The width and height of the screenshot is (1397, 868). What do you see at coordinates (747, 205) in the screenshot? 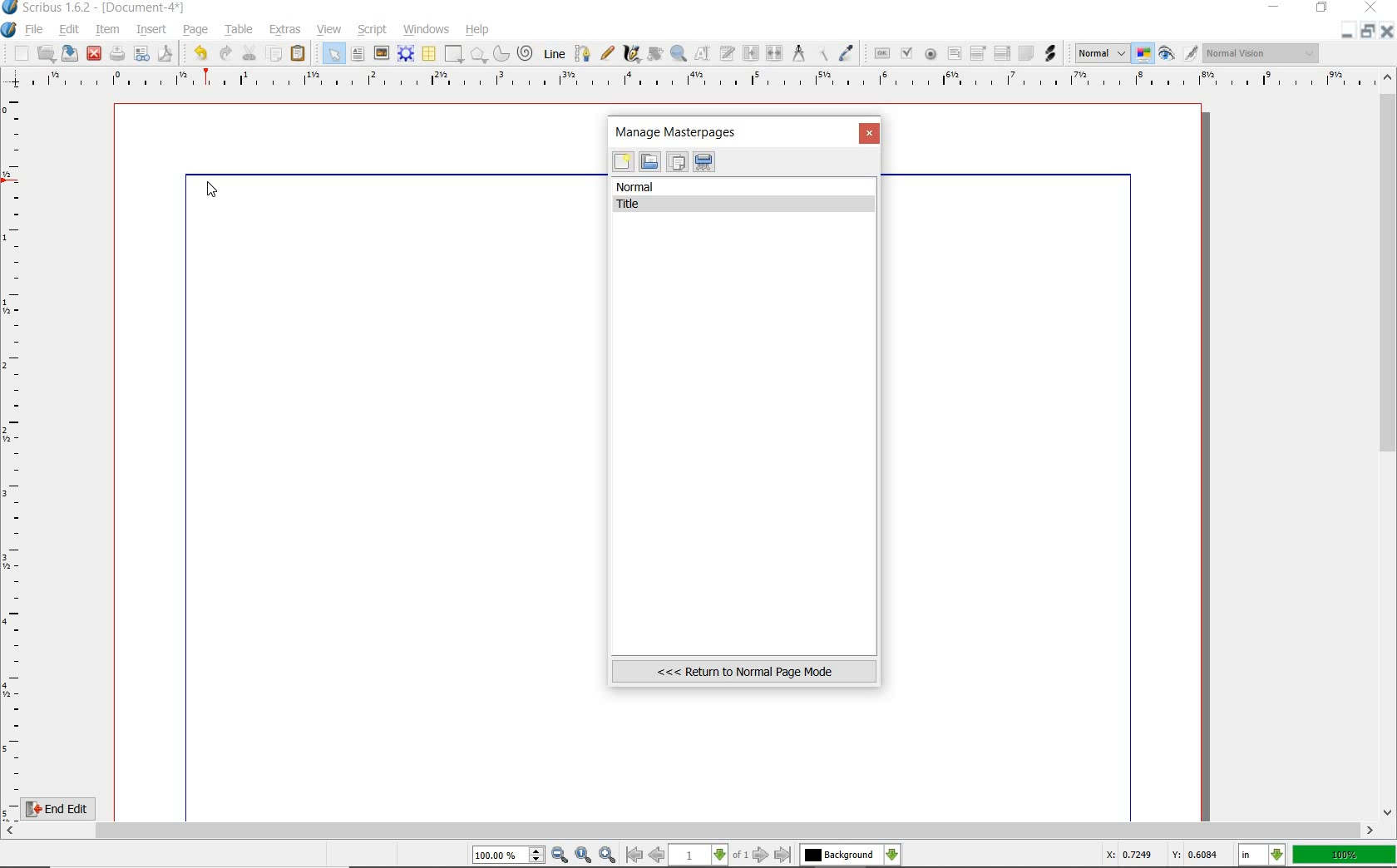
I see `Title` at bounding box center [747, 205].